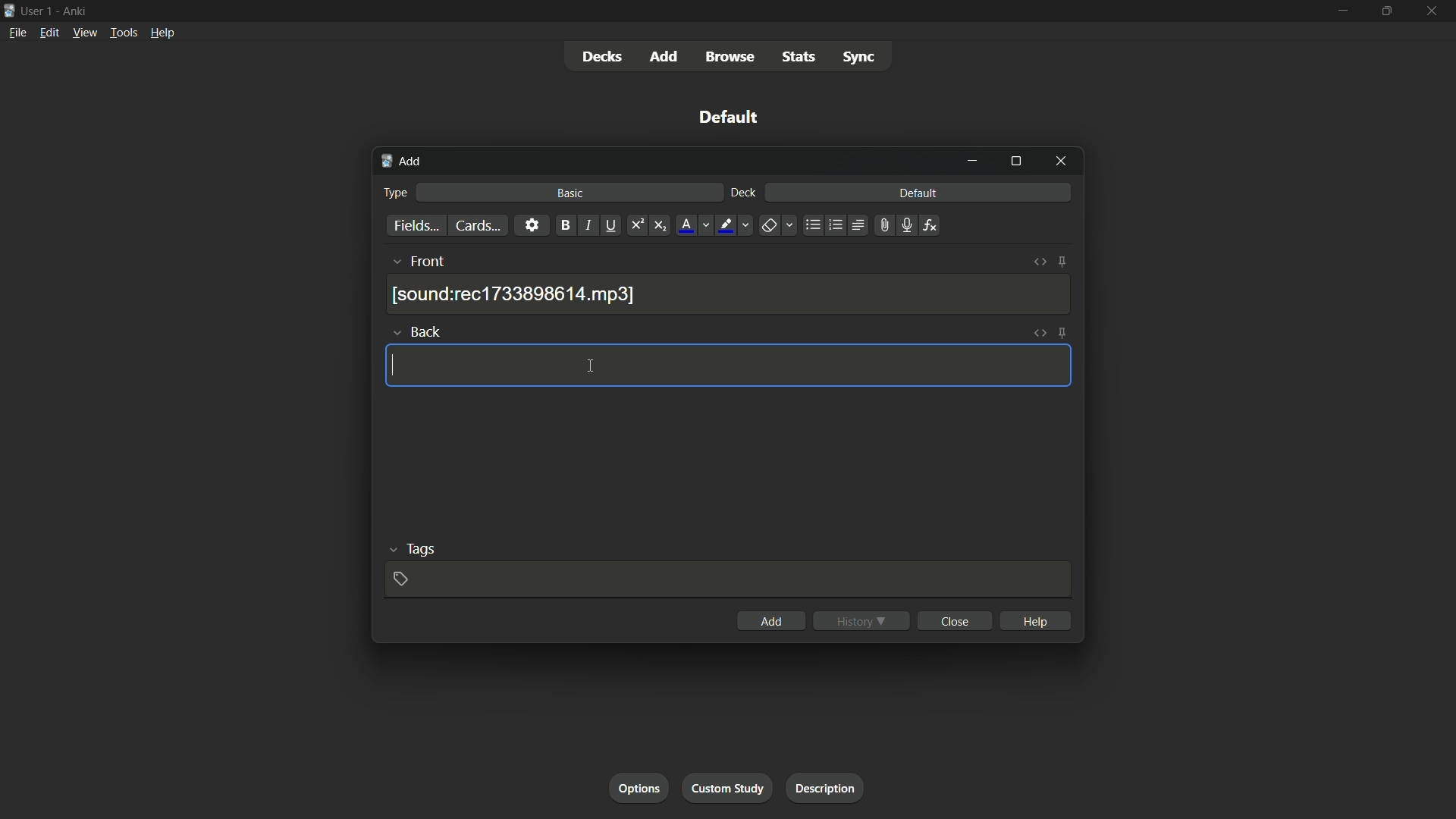  I want to click on cursor, so click(388, 366).